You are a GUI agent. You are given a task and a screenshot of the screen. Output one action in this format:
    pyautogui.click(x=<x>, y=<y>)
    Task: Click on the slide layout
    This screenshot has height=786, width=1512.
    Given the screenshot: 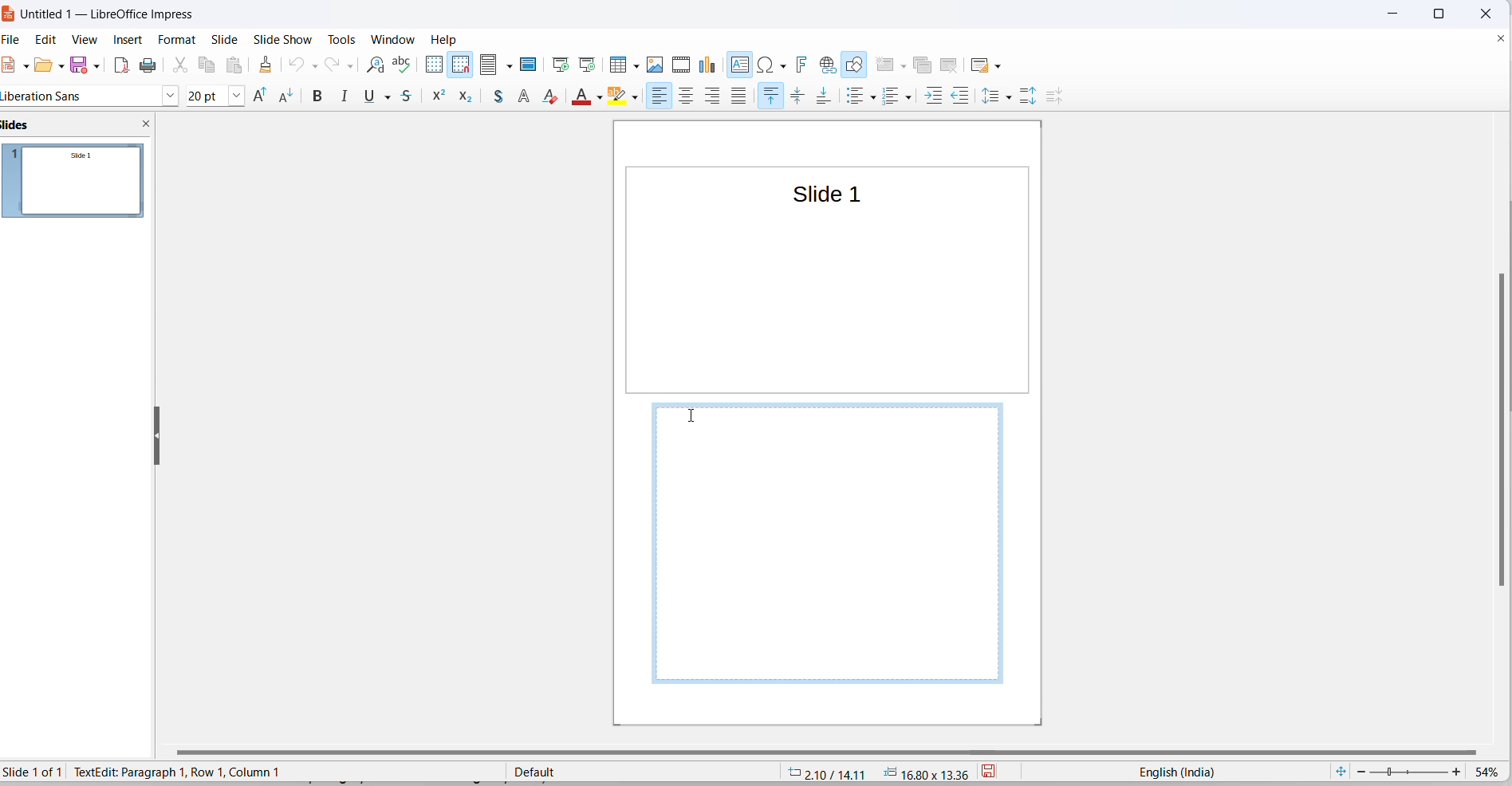 What is the action you would take?
    pyautogui.click(x=982, y=64)
    